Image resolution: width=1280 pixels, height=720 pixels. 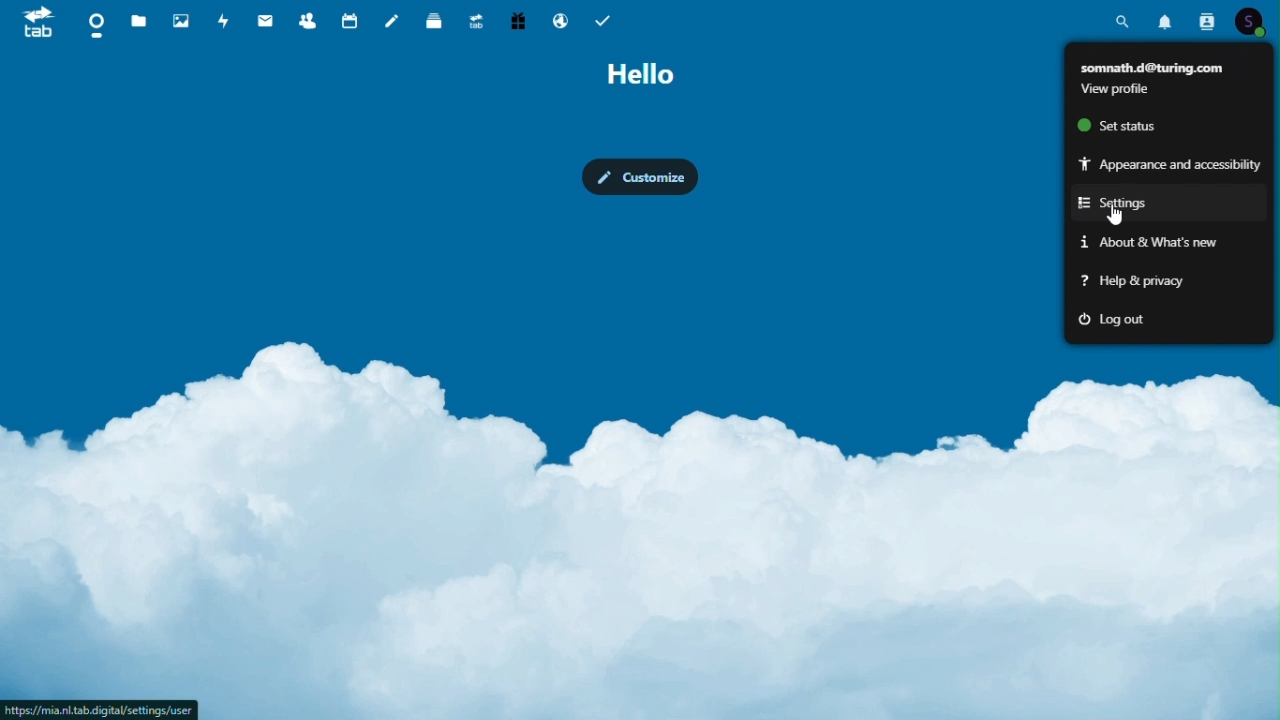 I want to click on Search, so click(x=1122, y=20).